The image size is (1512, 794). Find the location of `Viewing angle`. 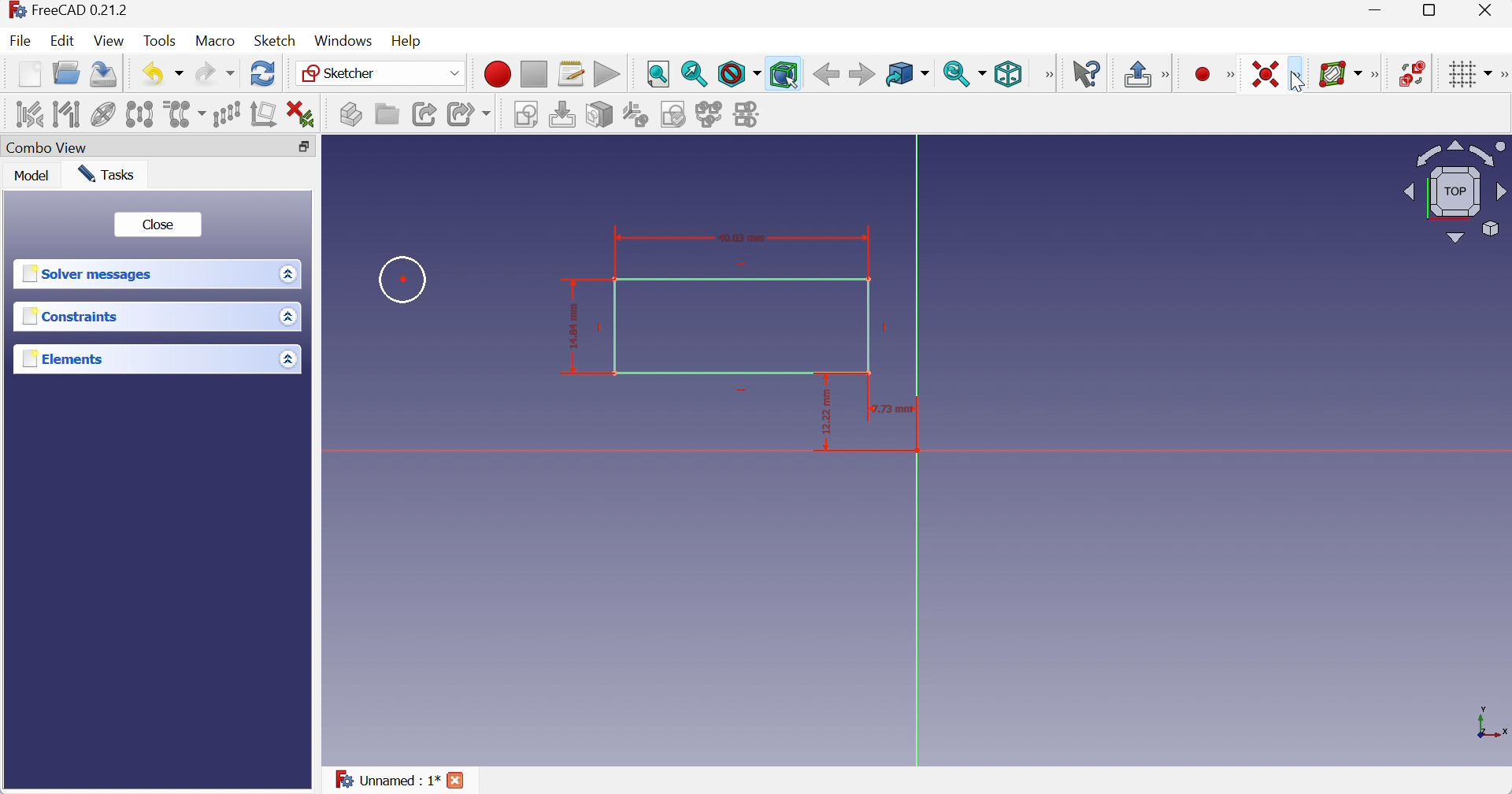

Viewing angle is located at coordinates (1455, 194).